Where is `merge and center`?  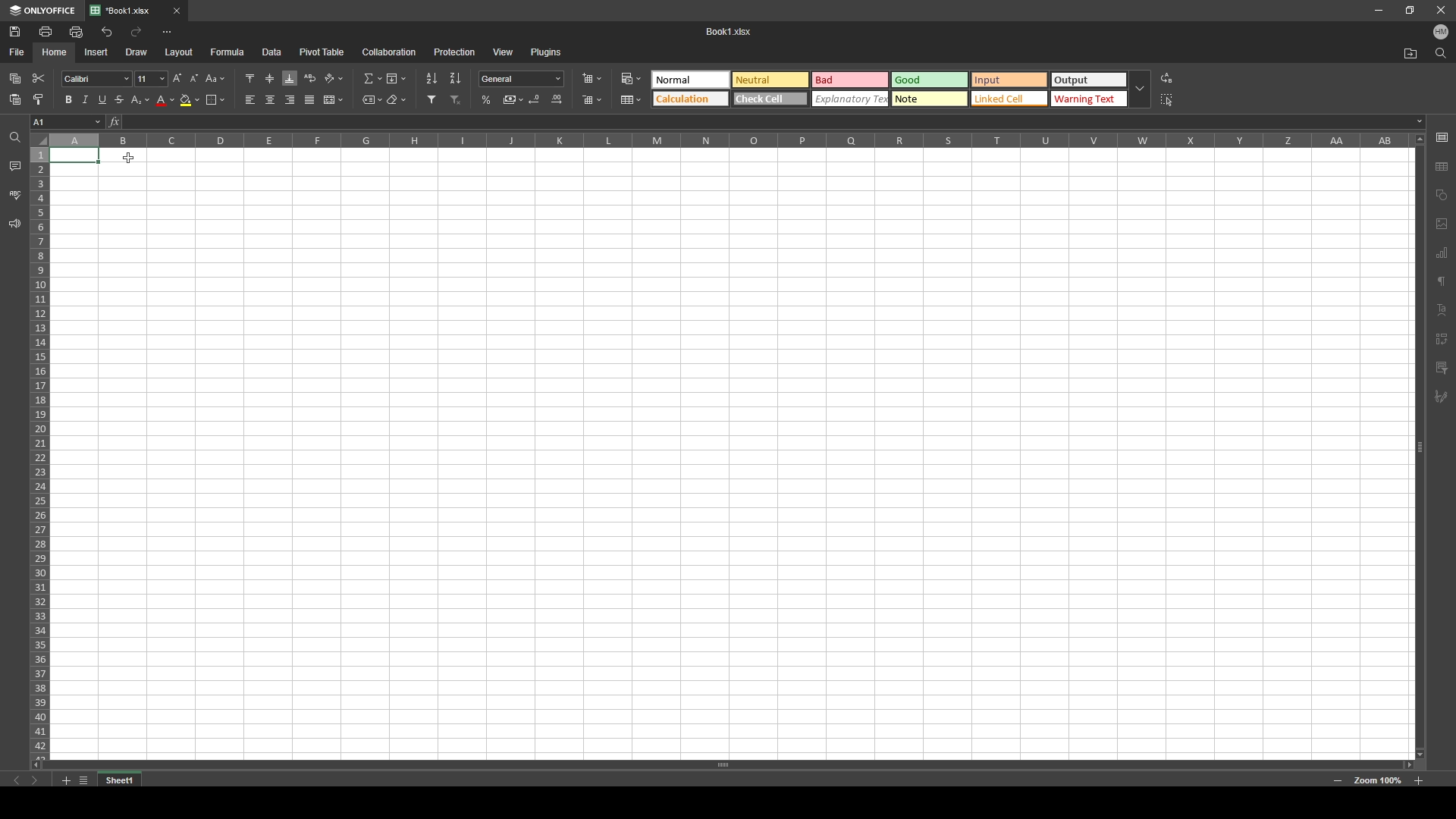 merge and center is located at coordinates (333, 99).